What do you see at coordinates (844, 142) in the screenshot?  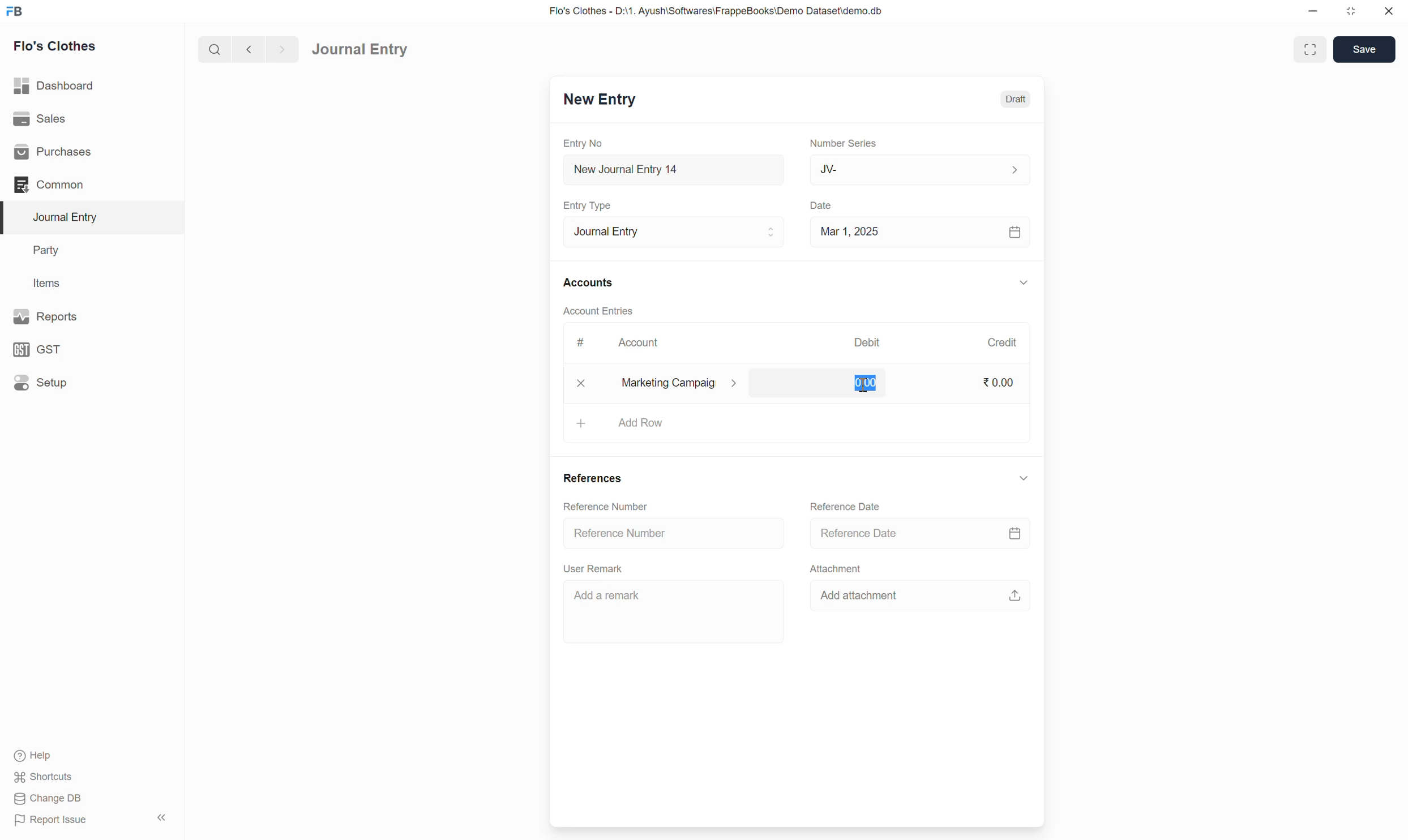 I see `Number Series` at bounding box center [844, 142].